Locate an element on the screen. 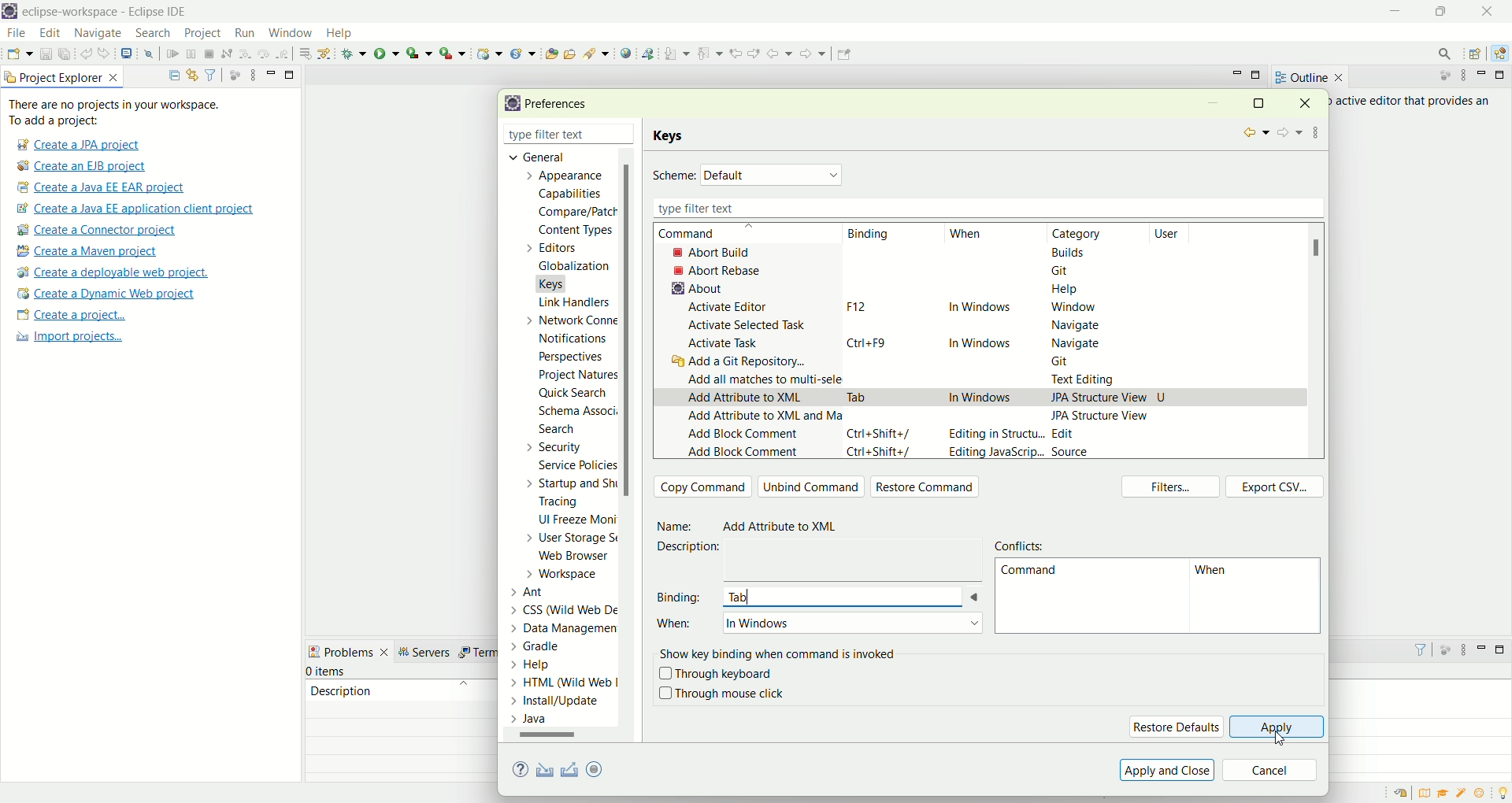  about is located at coordinates (693, 288).